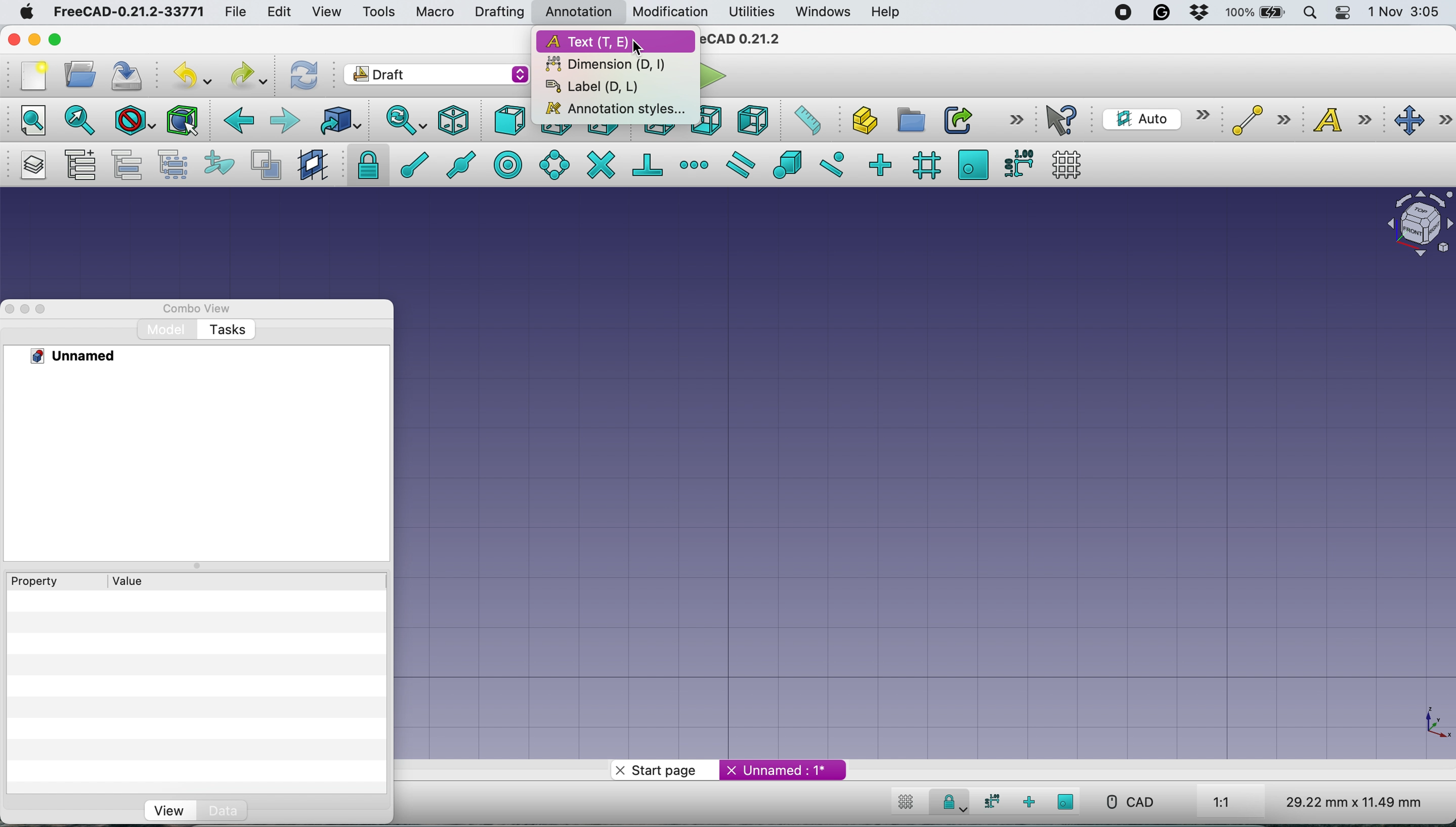 The image size is (1456, 827). What do you see at coordinates (436, 74) in the screenshot?
I see `workbench` at bounding box center [436, 74].